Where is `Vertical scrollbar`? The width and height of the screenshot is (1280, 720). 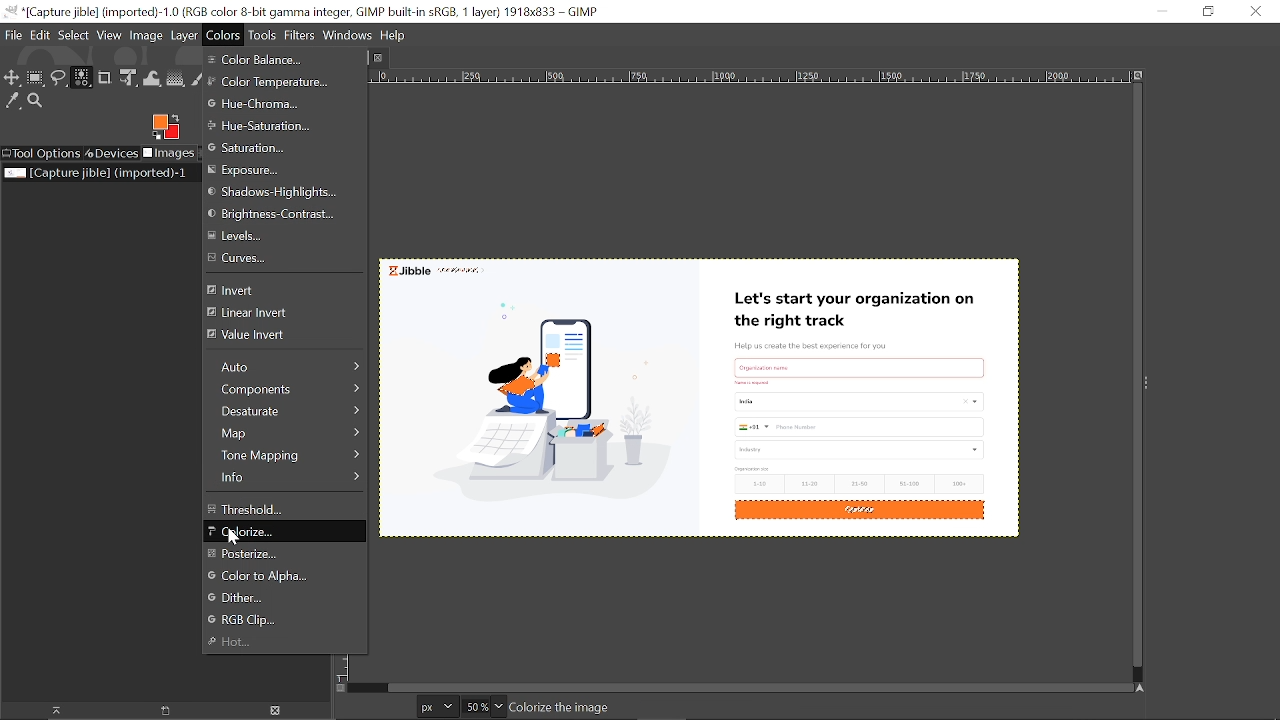
Vertical scrollbar is located at coordinates (1133, 377).